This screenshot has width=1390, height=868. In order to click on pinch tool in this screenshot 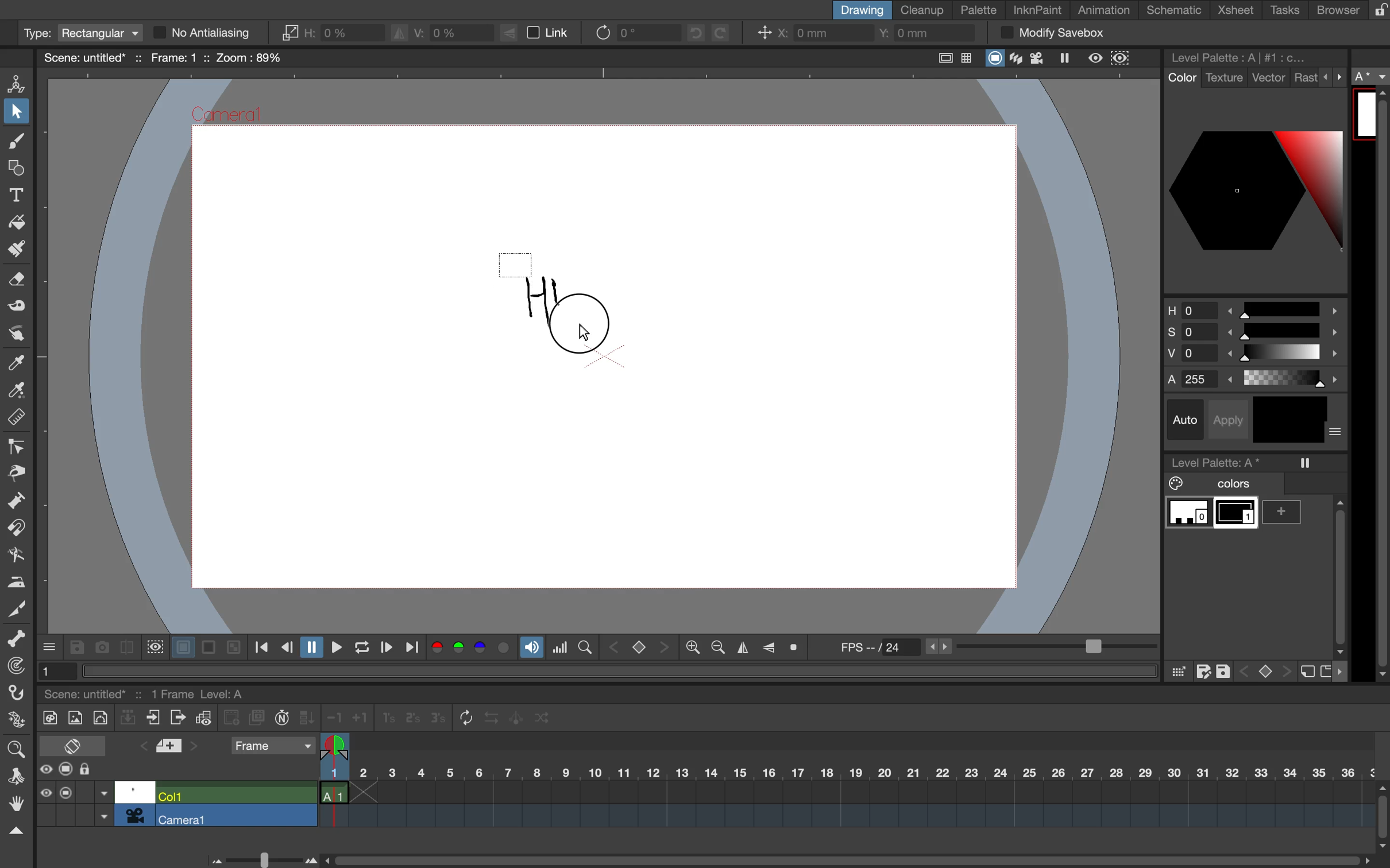, I will do `click(17, 472)`.